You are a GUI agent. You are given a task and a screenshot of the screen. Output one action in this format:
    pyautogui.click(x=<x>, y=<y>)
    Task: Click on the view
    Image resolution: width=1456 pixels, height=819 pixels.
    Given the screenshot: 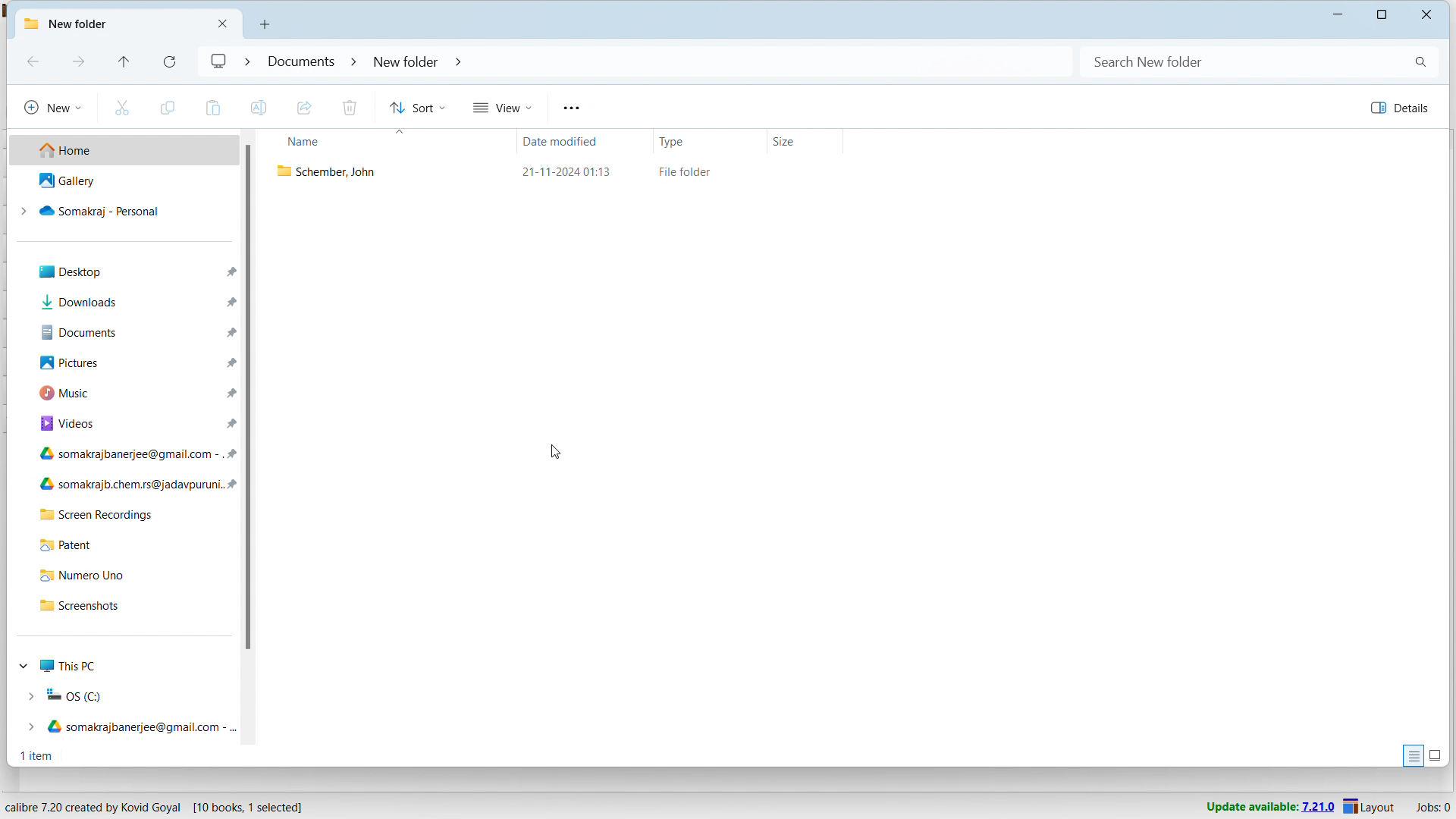 What is the action you would take?
    pyautogui.click(x=504, y=107)
    